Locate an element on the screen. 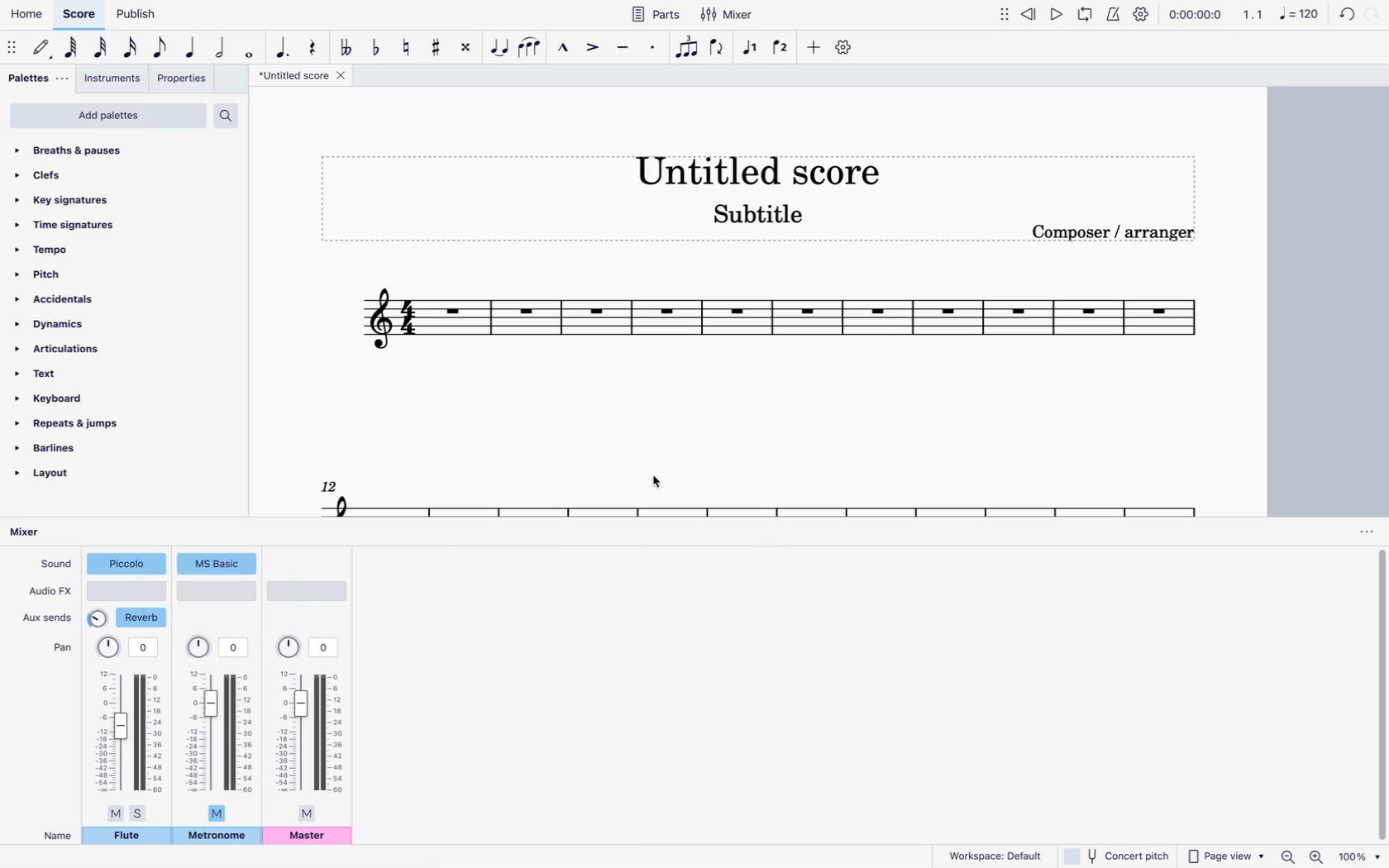 The width and height of the screenshot is (1389, 868). flip direction is located at coordinates (719, 48).